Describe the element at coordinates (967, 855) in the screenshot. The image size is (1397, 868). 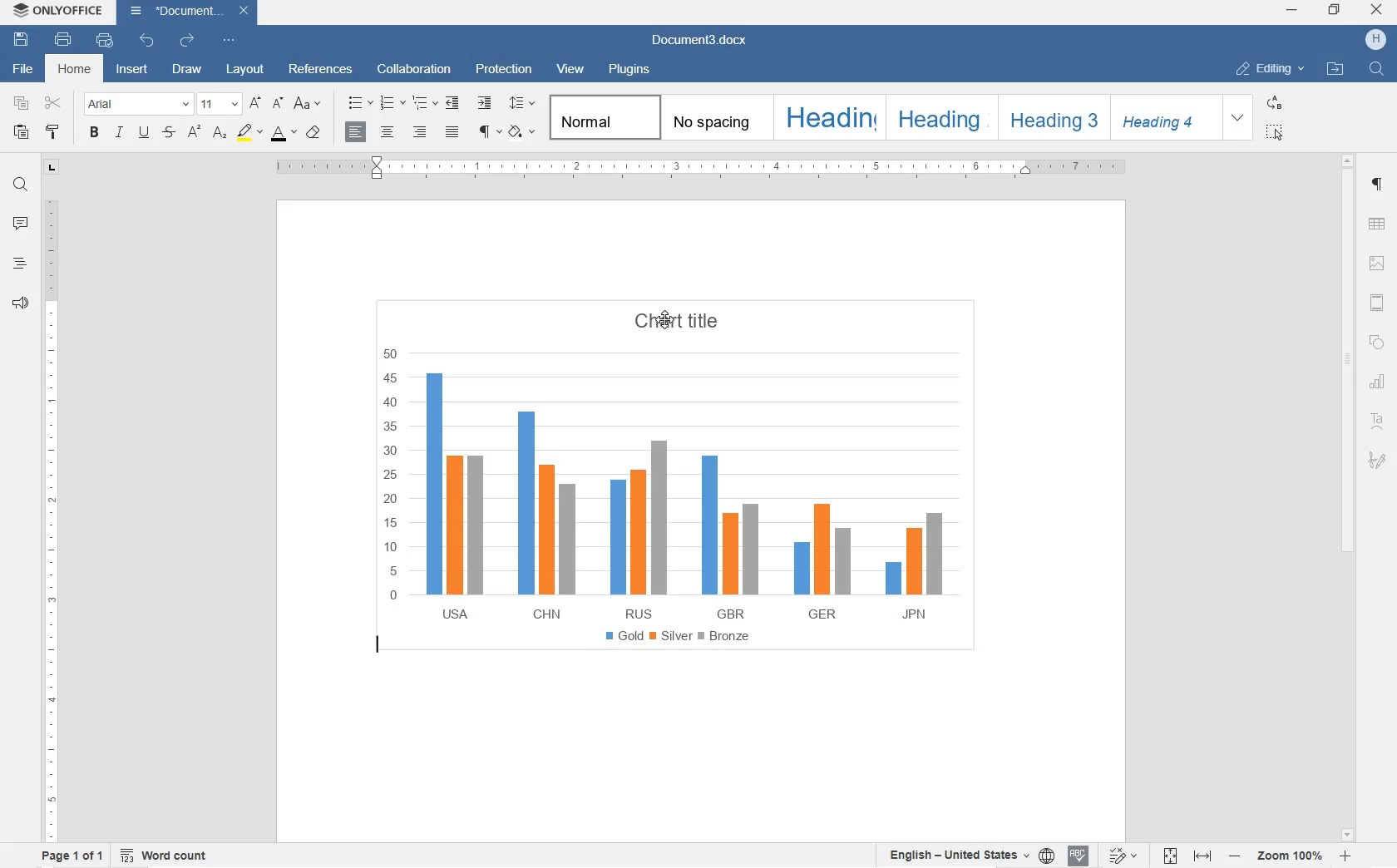
I see `SET TEXT OR DOCUMENT LANGUAGE` at that location.